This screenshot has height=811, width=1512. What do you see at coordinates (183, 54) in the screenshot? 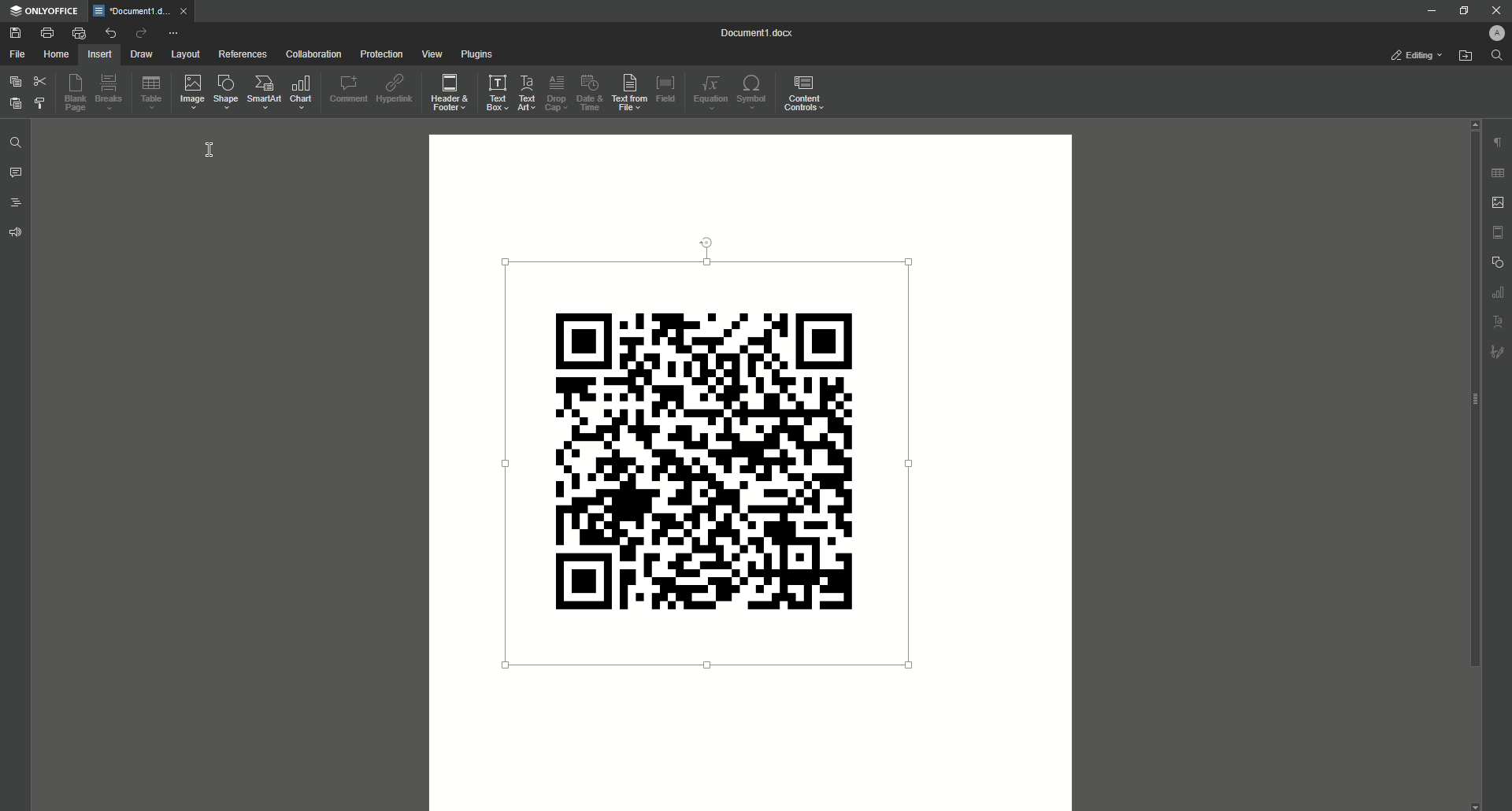
I see `Layout` at bounding box center [183, 54].